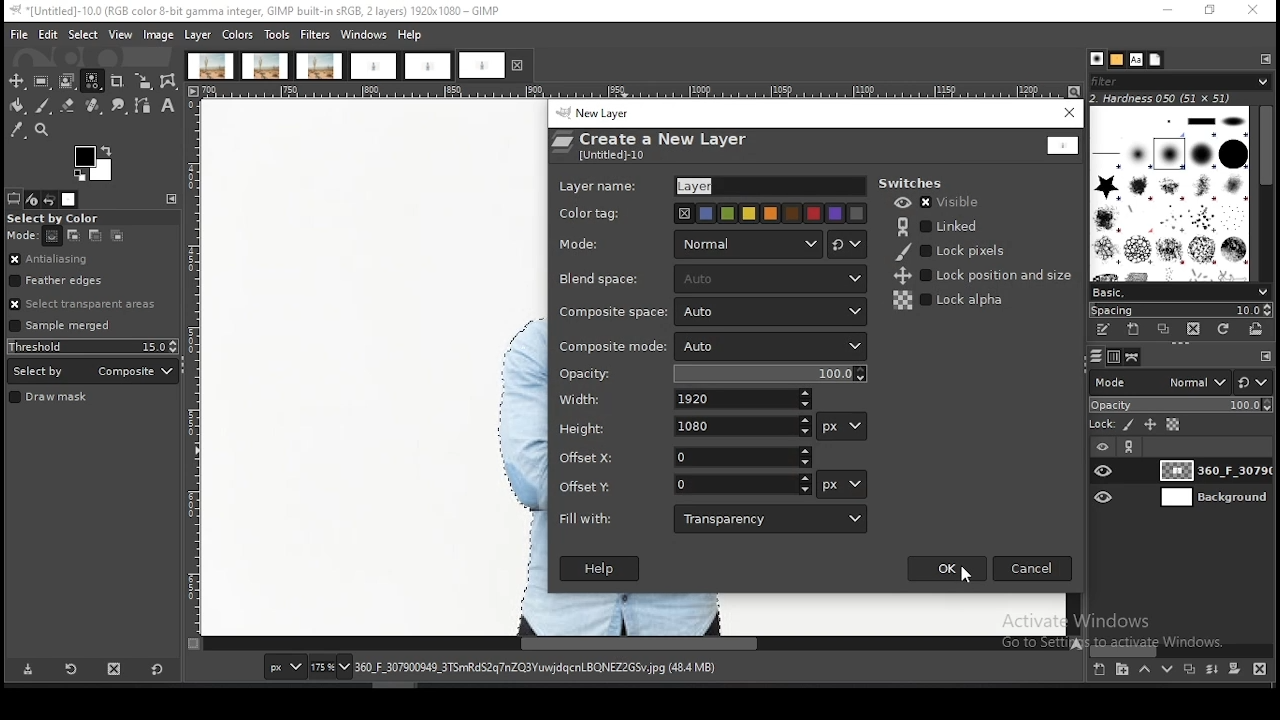 Image resolution: width=1280 pixels, height=720 pixels. What do you see at coordinates (122, 34) in the screenshot?
I see `view` at bounding box center [122, 34].